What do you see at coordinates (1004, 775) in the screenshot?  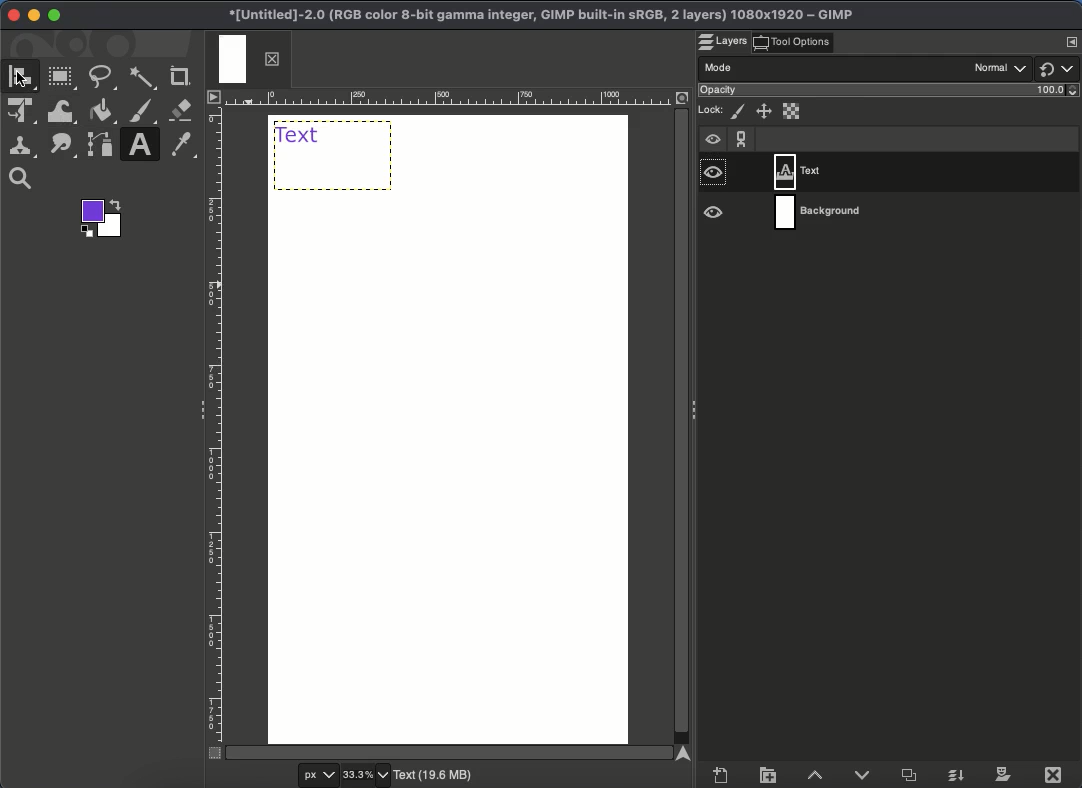 I see `Mask` at bounding box center [1004, 775].